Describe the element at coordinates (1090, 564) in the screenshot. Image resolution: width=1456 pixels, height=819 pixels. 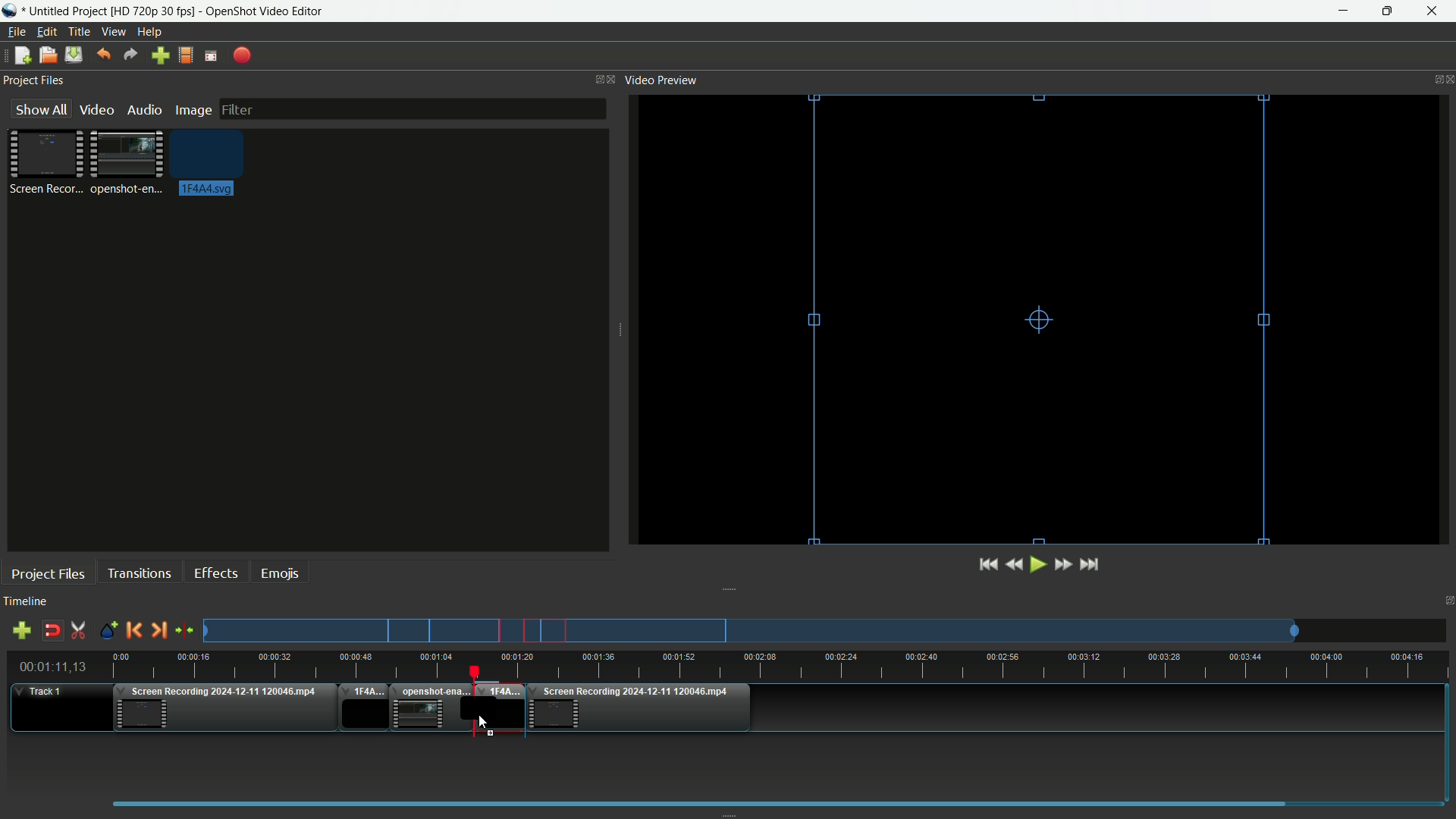
I see `Jump to end` at that location.